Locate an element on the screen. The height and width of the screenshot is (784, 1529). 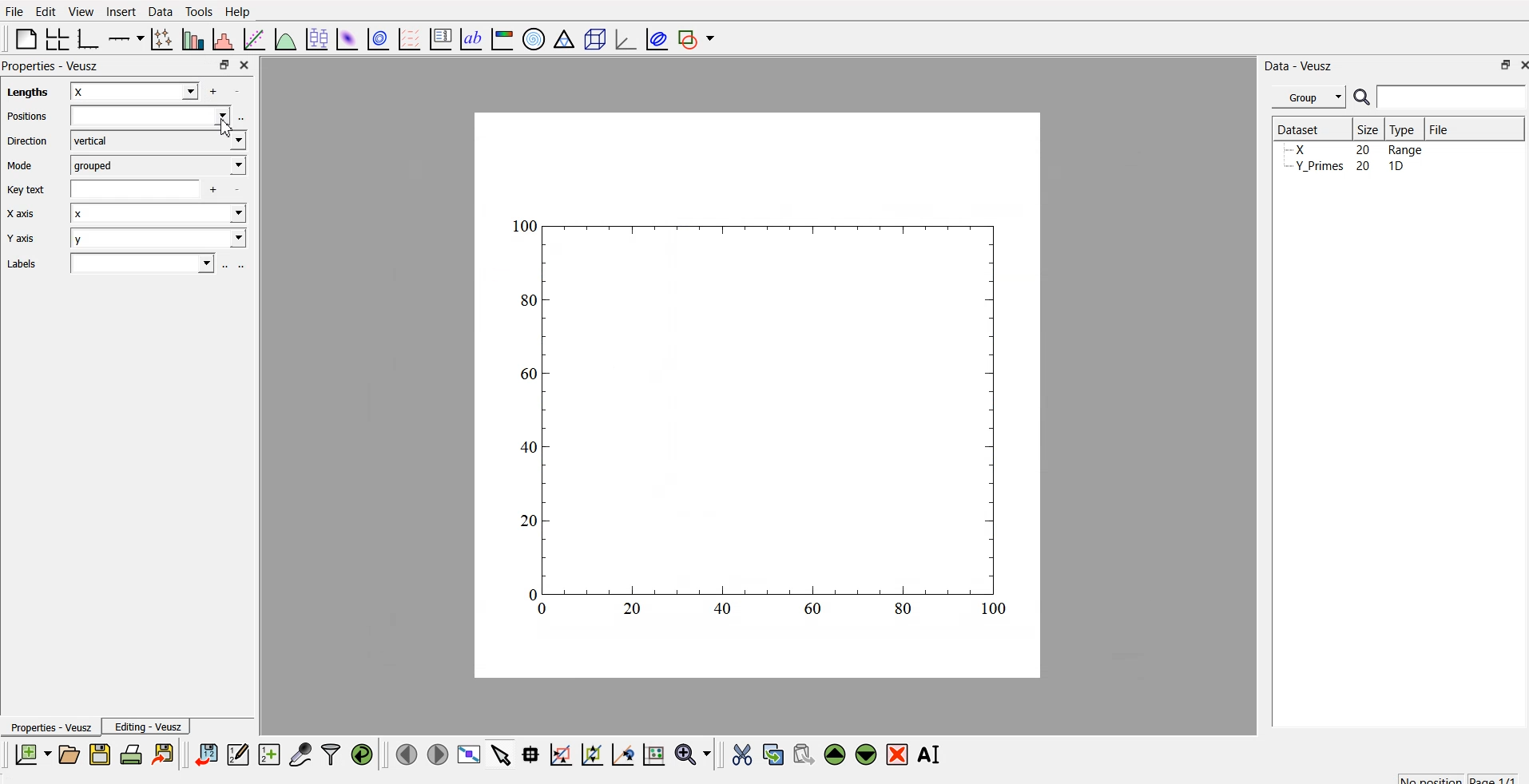
remove the selected widget is located at coordinates (900, 754).